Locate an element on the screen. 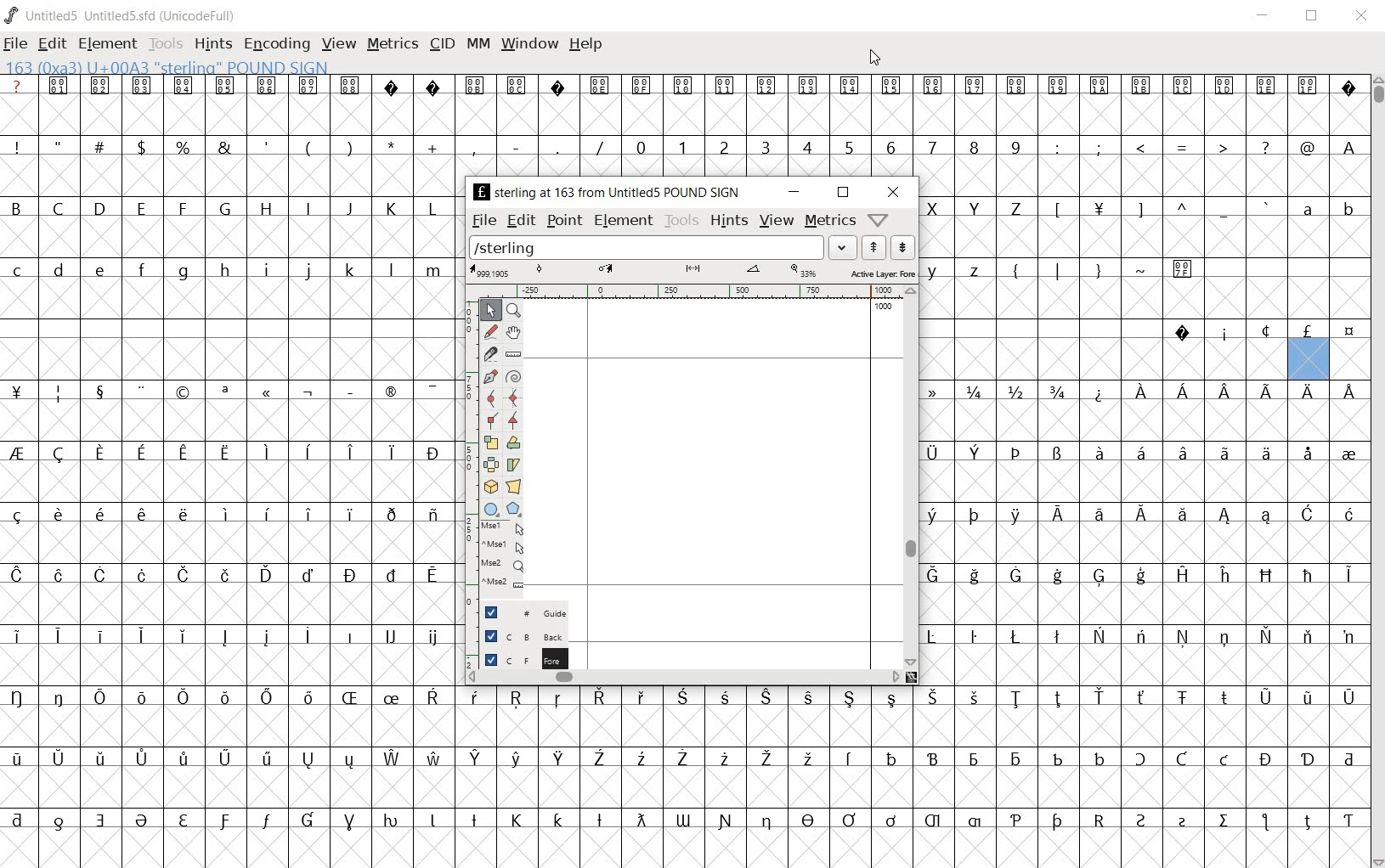 This screenshot has width=1385, height=868. Symbol is located at coordinates (473, 819).